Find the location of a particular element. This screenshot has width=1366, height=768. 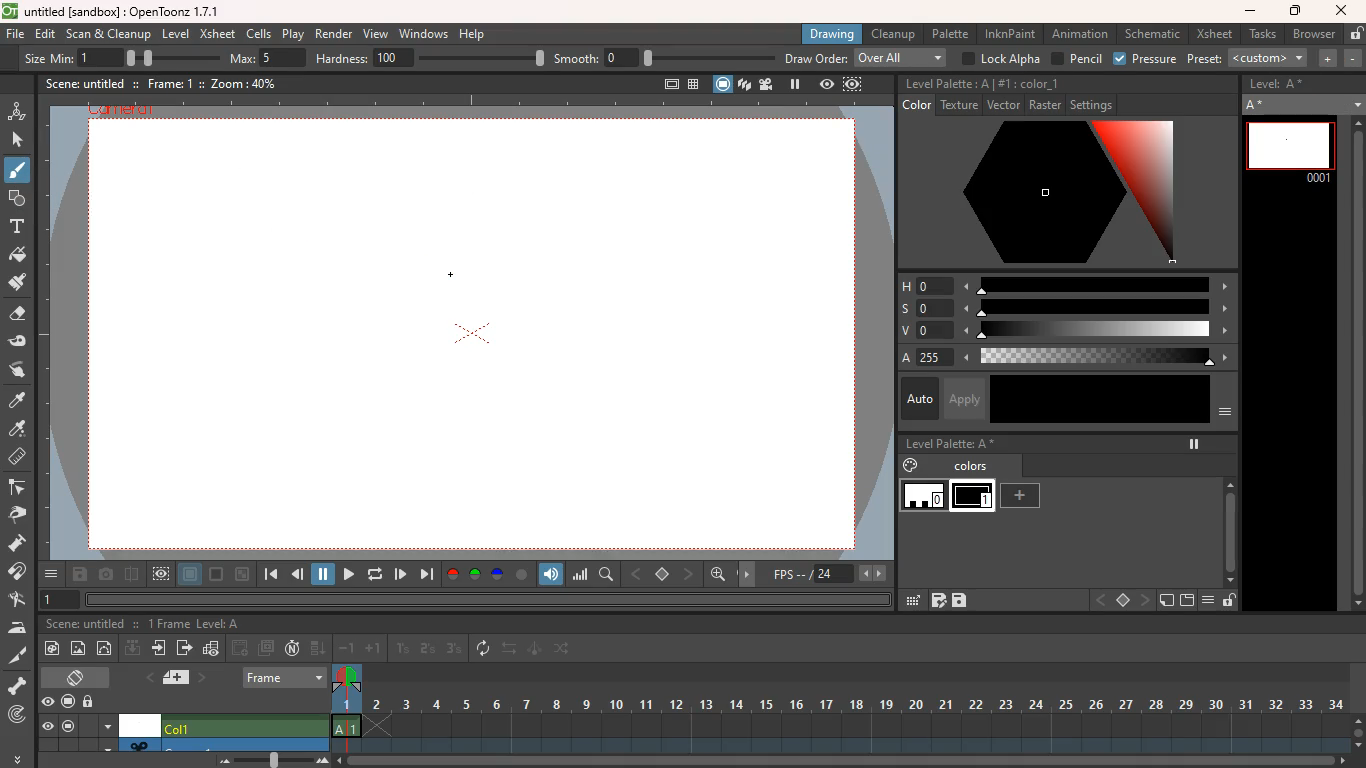

cells is located at coordinates (260, 33).